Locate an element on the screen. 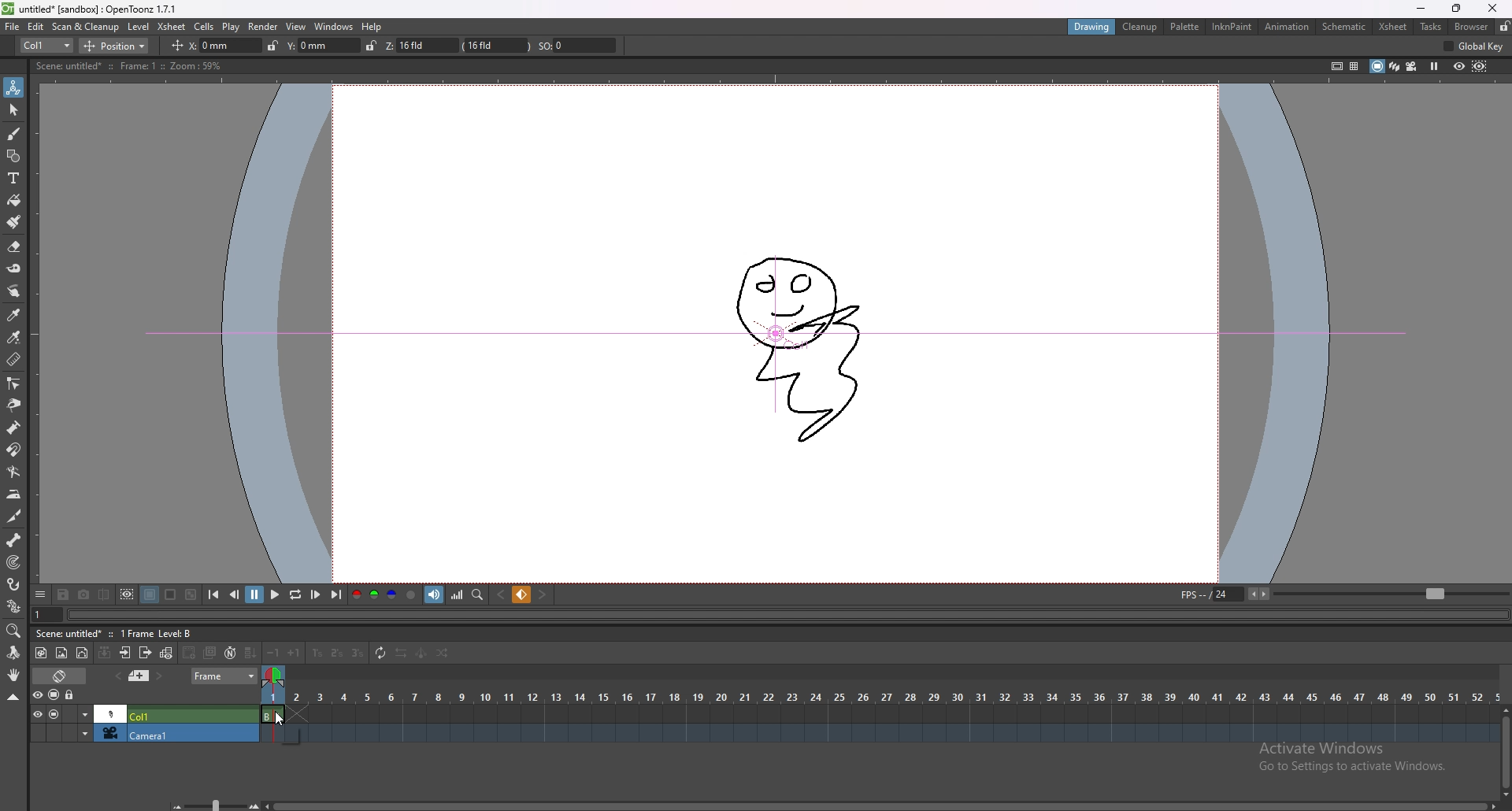  windows is located at coordinates (334, 27).